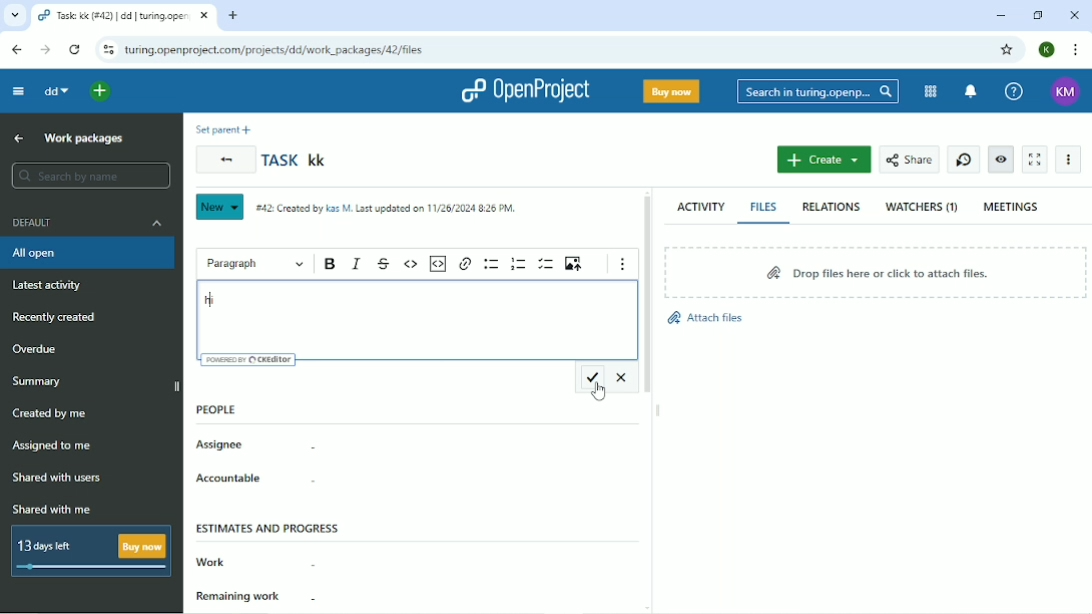  I want to click on Start new timer, so click(964, 159).